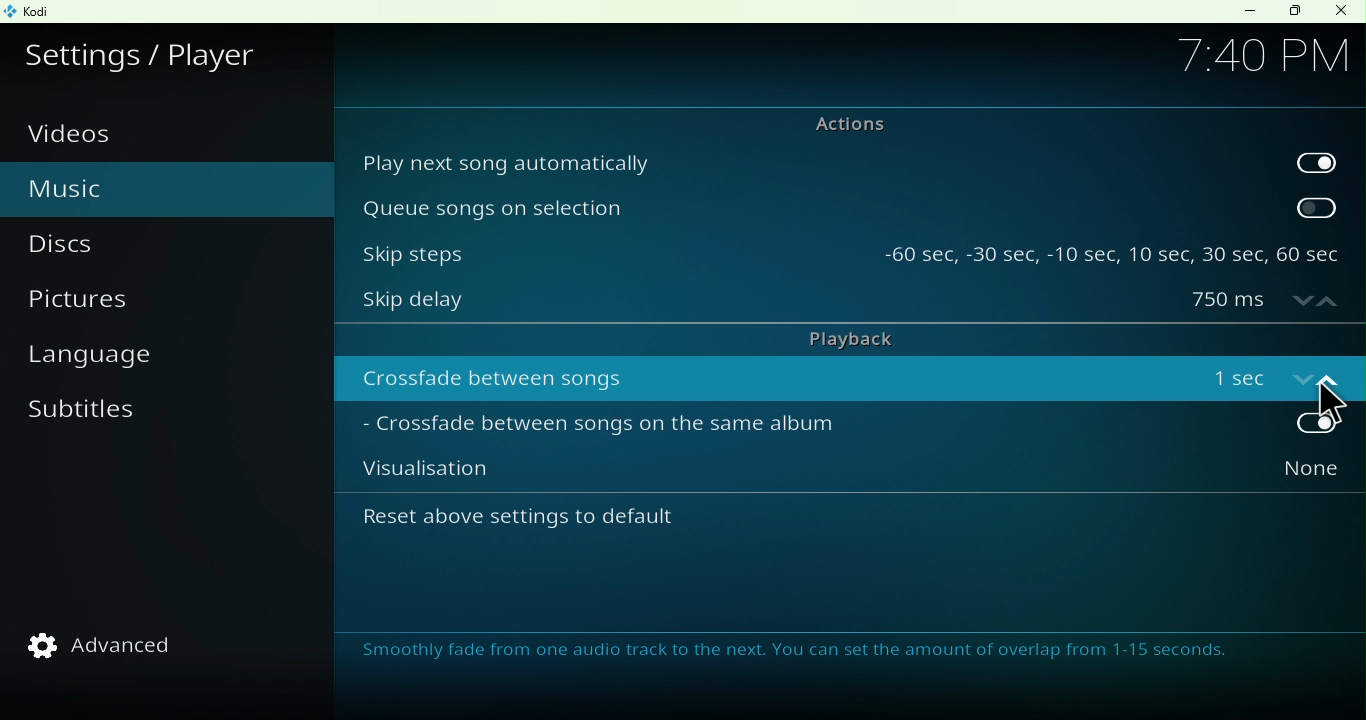  What do you see at coordinates (147, 51) in the screenshot?
I see `Settings/Player` at bounding box center [147, 51].